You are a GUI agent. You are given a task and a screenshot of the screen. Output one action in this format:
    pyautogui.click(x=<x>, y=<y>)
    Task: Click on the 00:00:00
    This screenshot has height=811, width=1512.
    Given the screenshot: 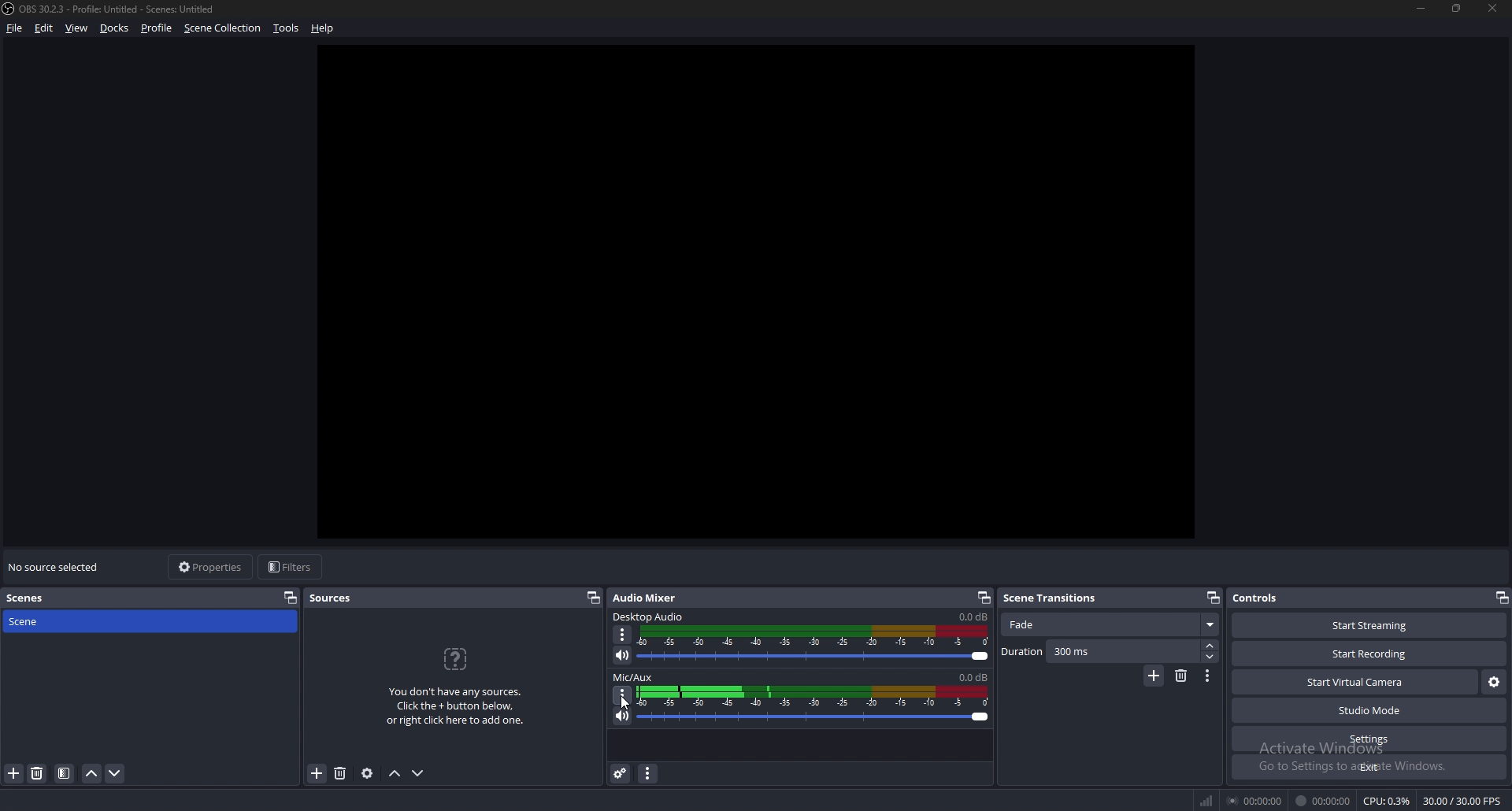 What is the action you would take?
    pyautogui.click(x=1324, y=800)
    